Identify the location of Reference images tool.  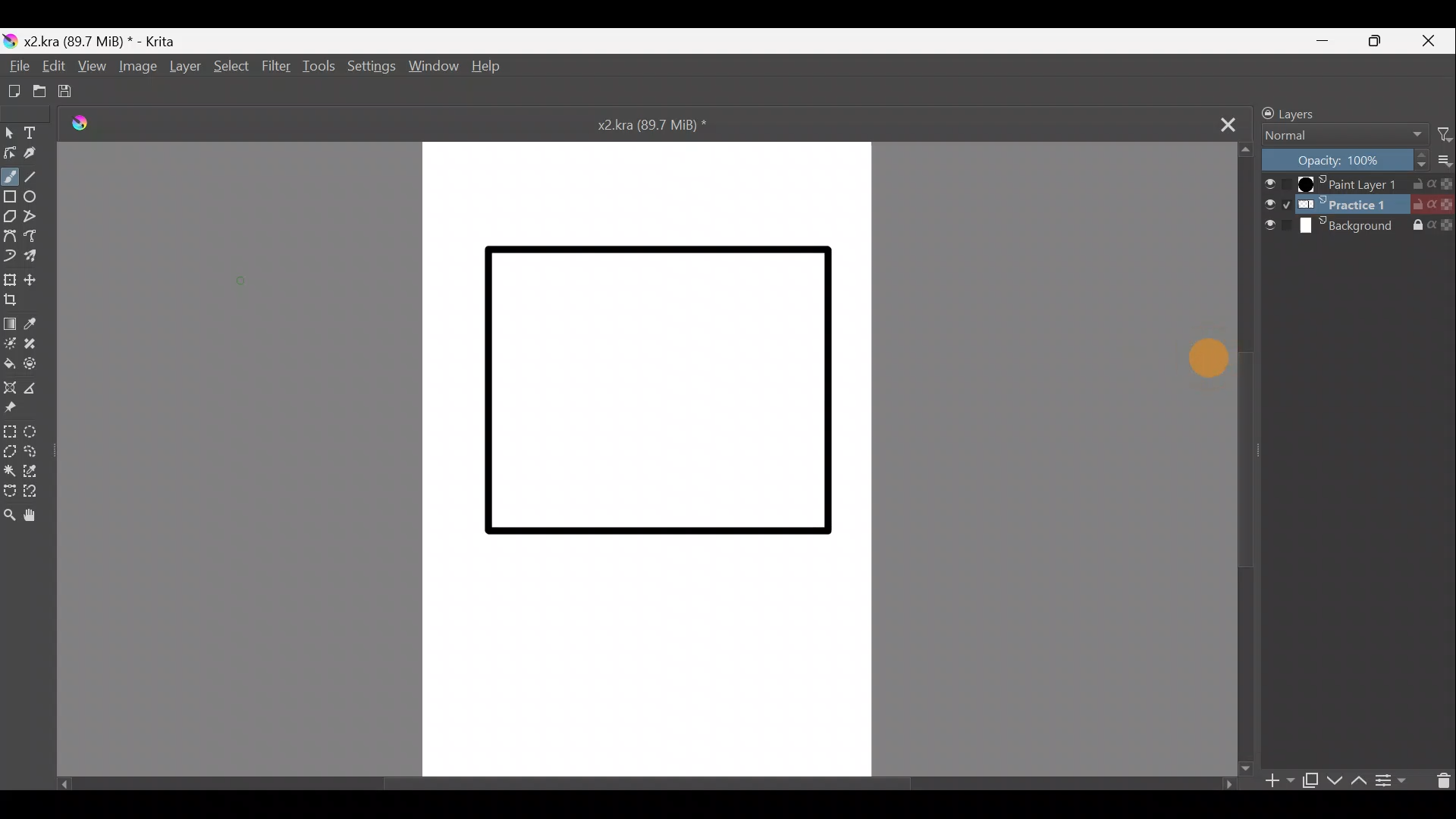
(14, 409).